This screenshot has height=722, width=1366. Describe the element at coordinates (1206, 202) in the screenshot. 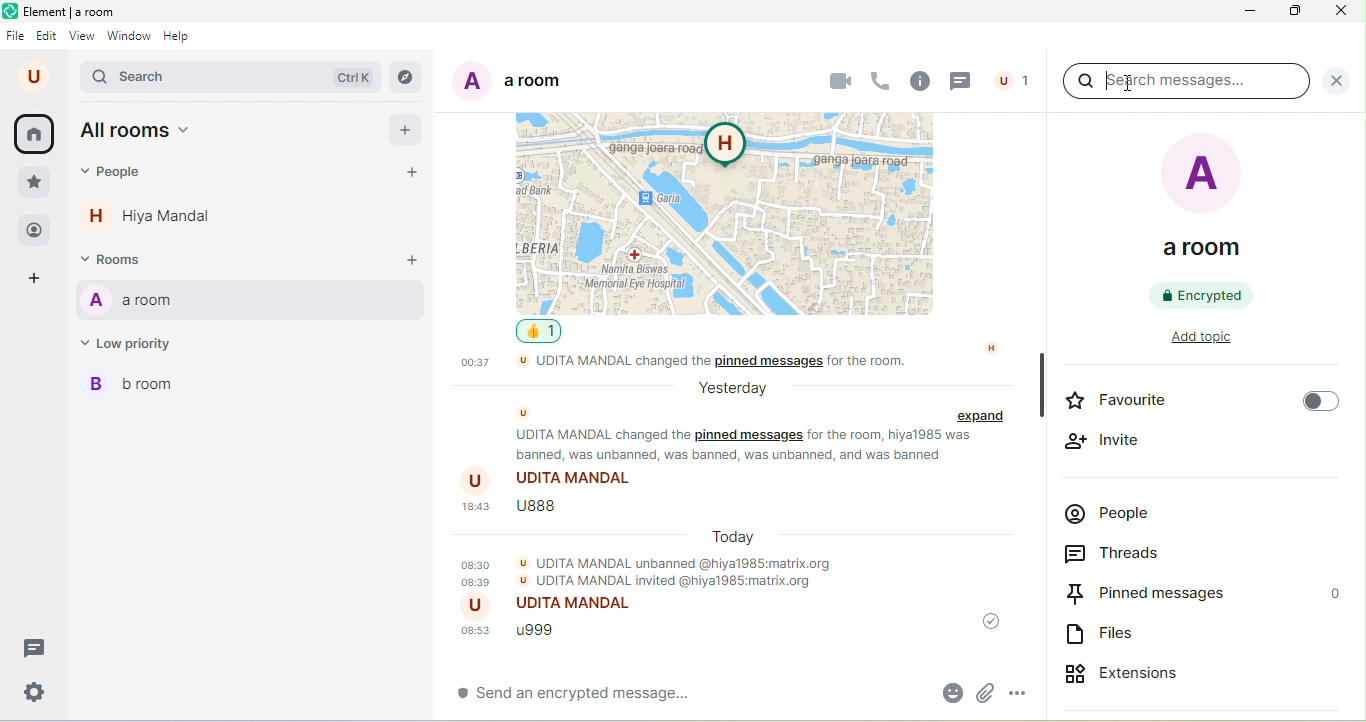

I see `a room` at that location.